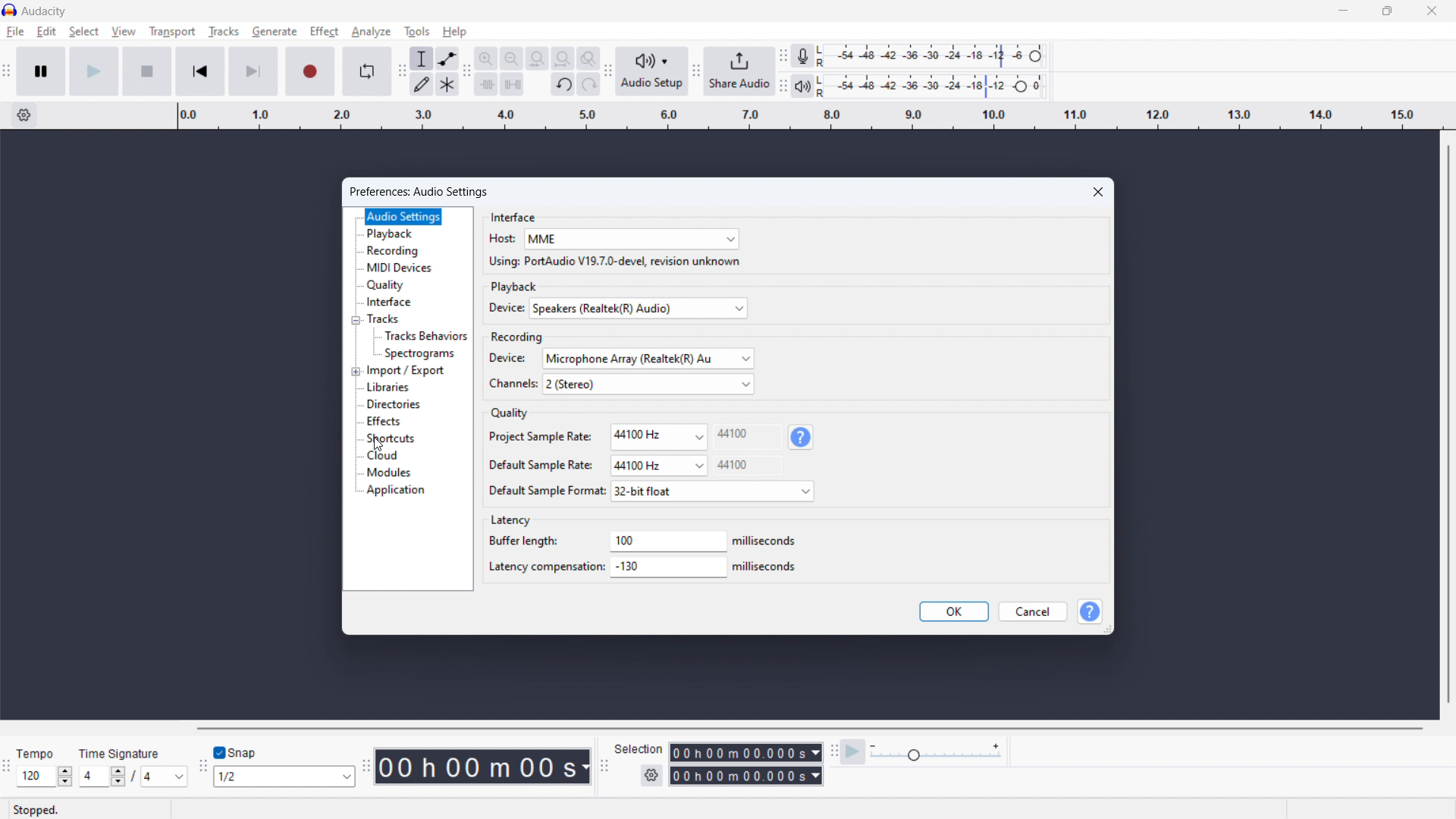  I want to click on effects, so click(387, 422).